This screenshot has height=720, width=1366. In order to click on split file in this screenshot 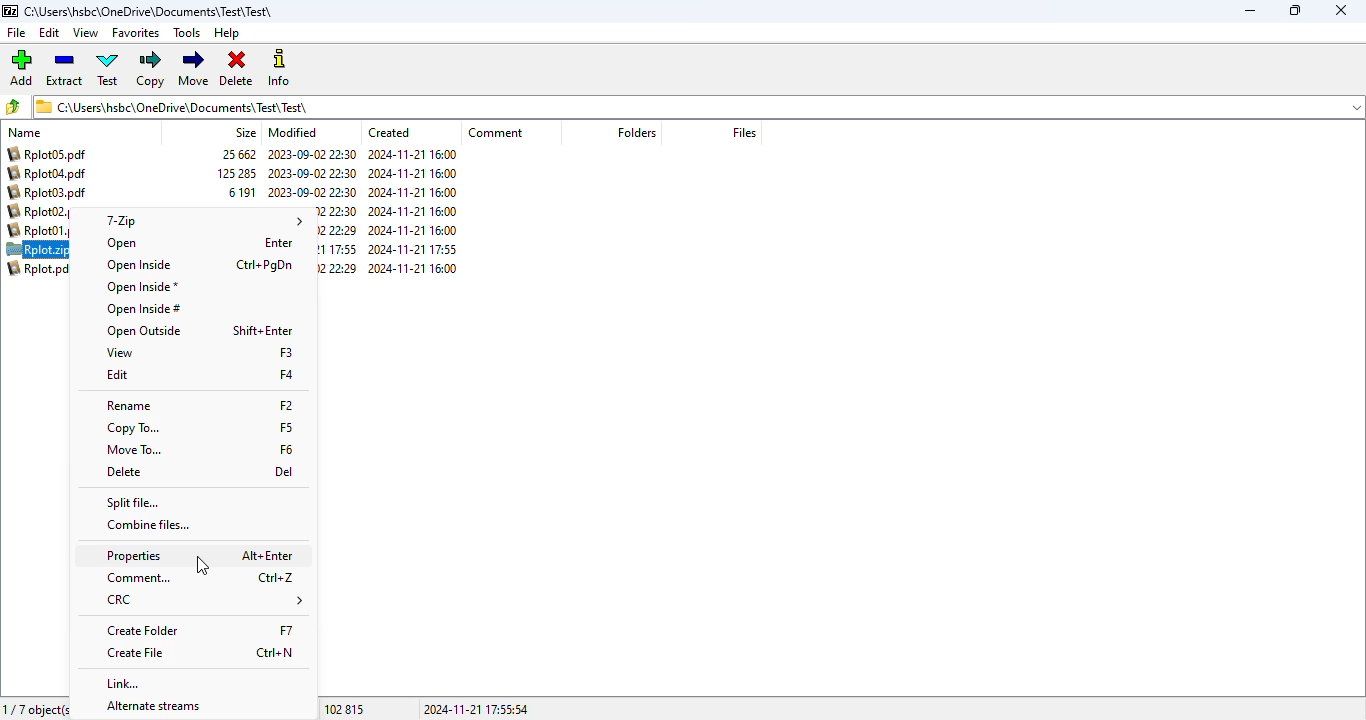, I will do `click(133, 503)`.